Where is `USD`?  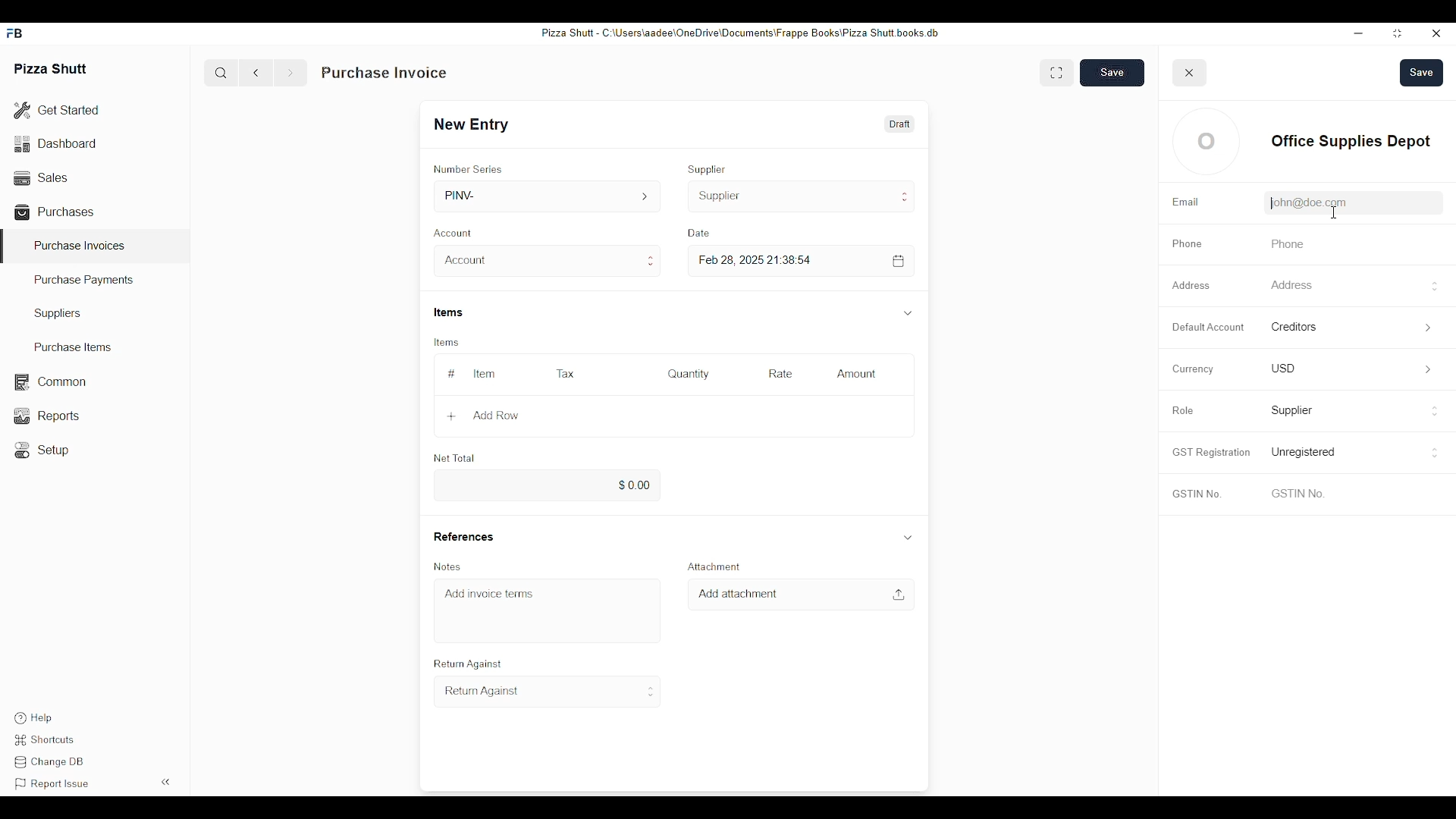
USD is located at coordinates (1283, 367).